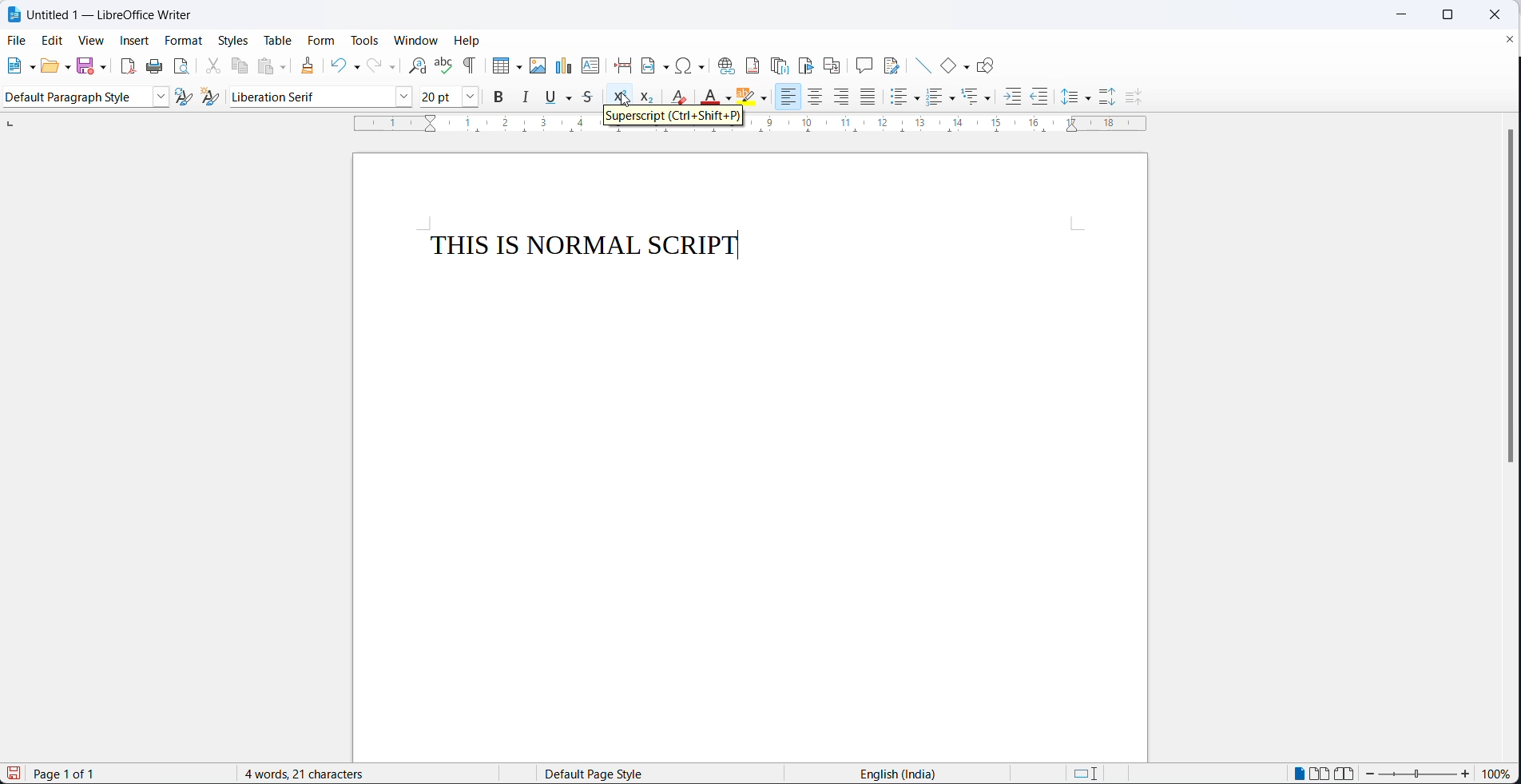 The width and height of the screenshot is (1521, 784). Describe the element at coordinates (373, 66) in the screenshot. I see `redo` at that location.